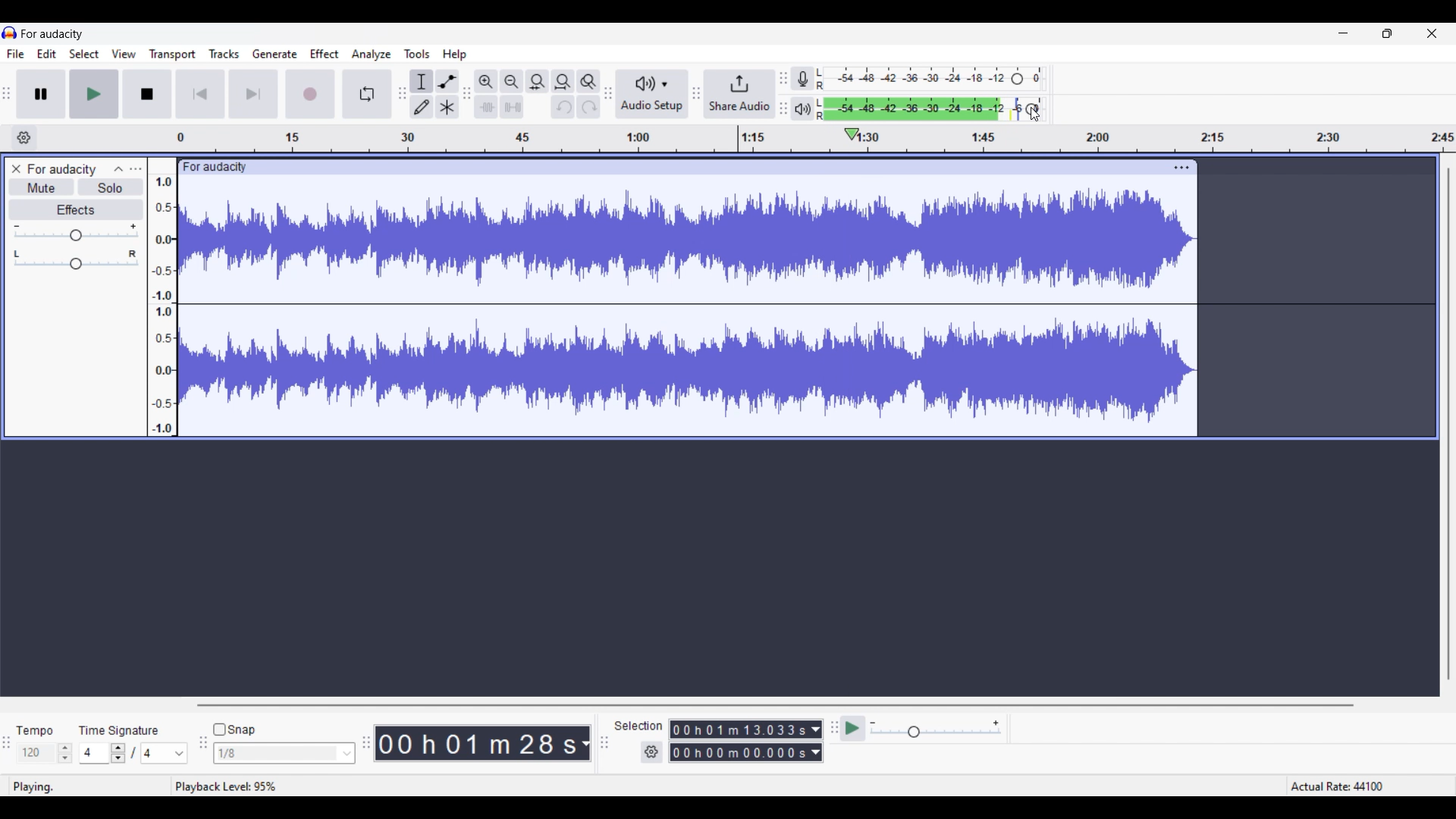  I want to click on Record meter, so click(802, 79).